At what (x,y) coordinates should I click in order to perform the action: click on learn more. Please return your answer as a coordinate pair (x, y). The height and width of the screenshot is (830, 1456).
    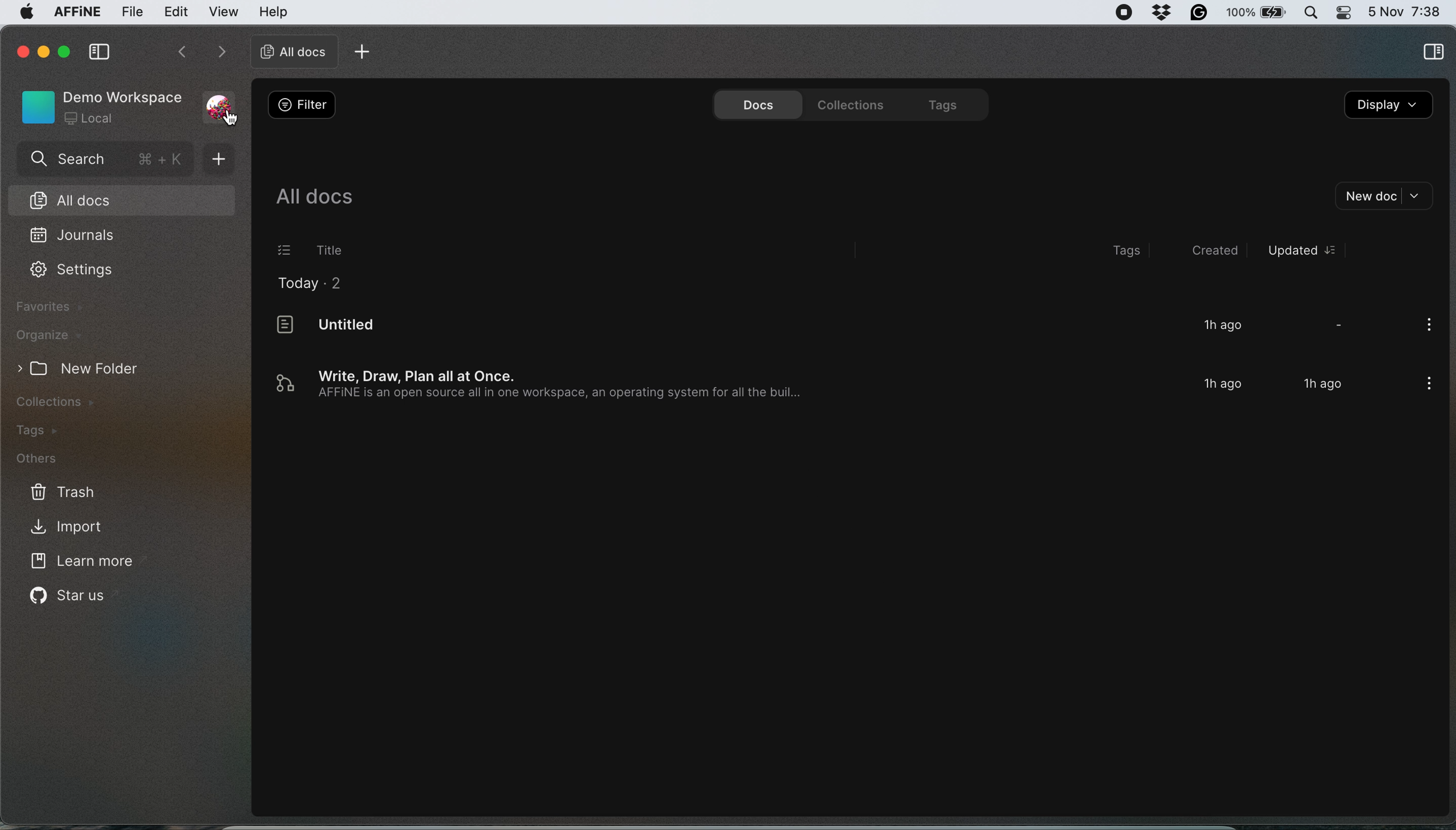
    Looking at the image, I should click on (86, 563).